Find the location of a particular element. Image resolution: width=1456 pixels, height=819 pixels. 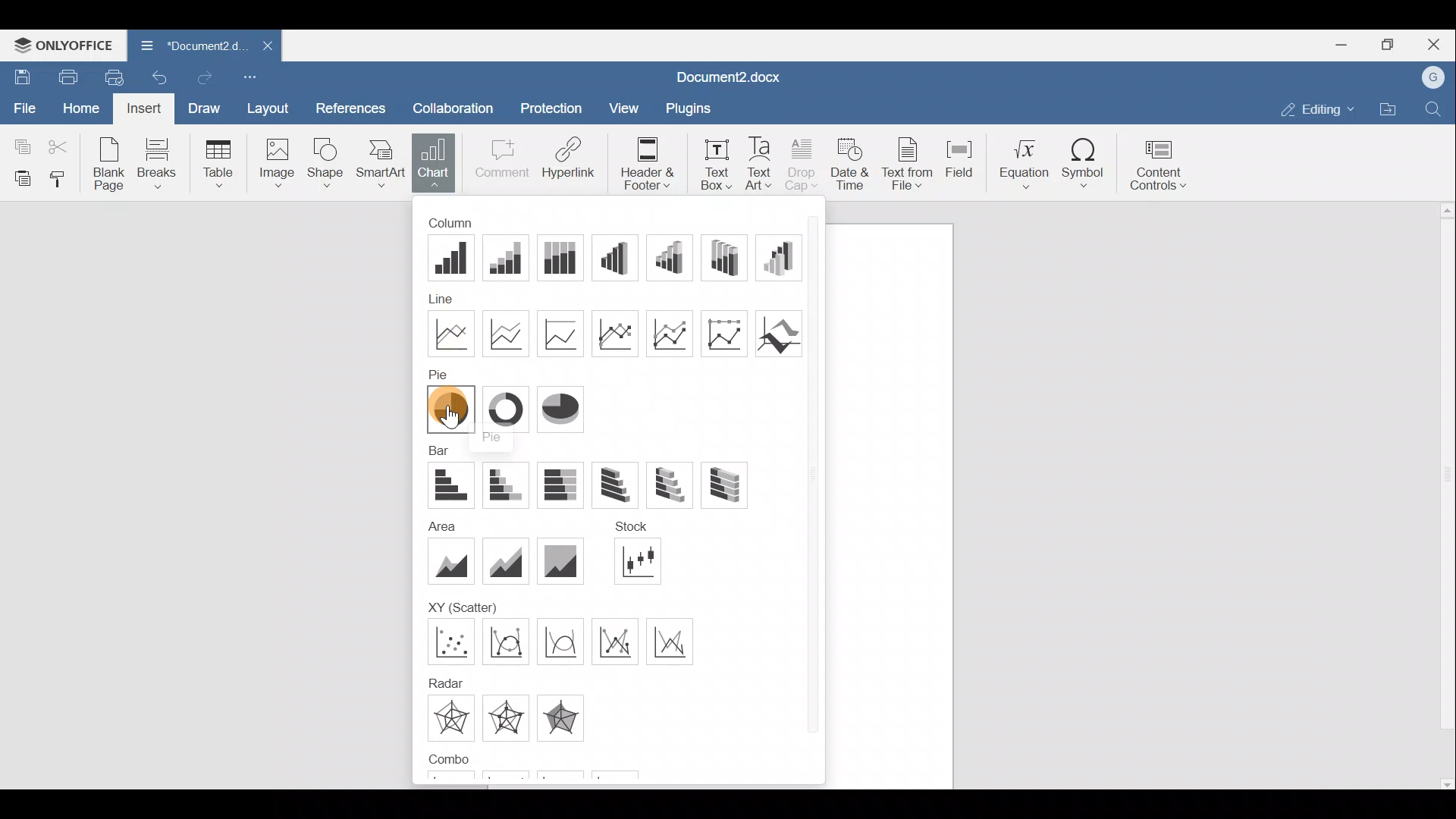

Redo is located at coordinates (210, 79).